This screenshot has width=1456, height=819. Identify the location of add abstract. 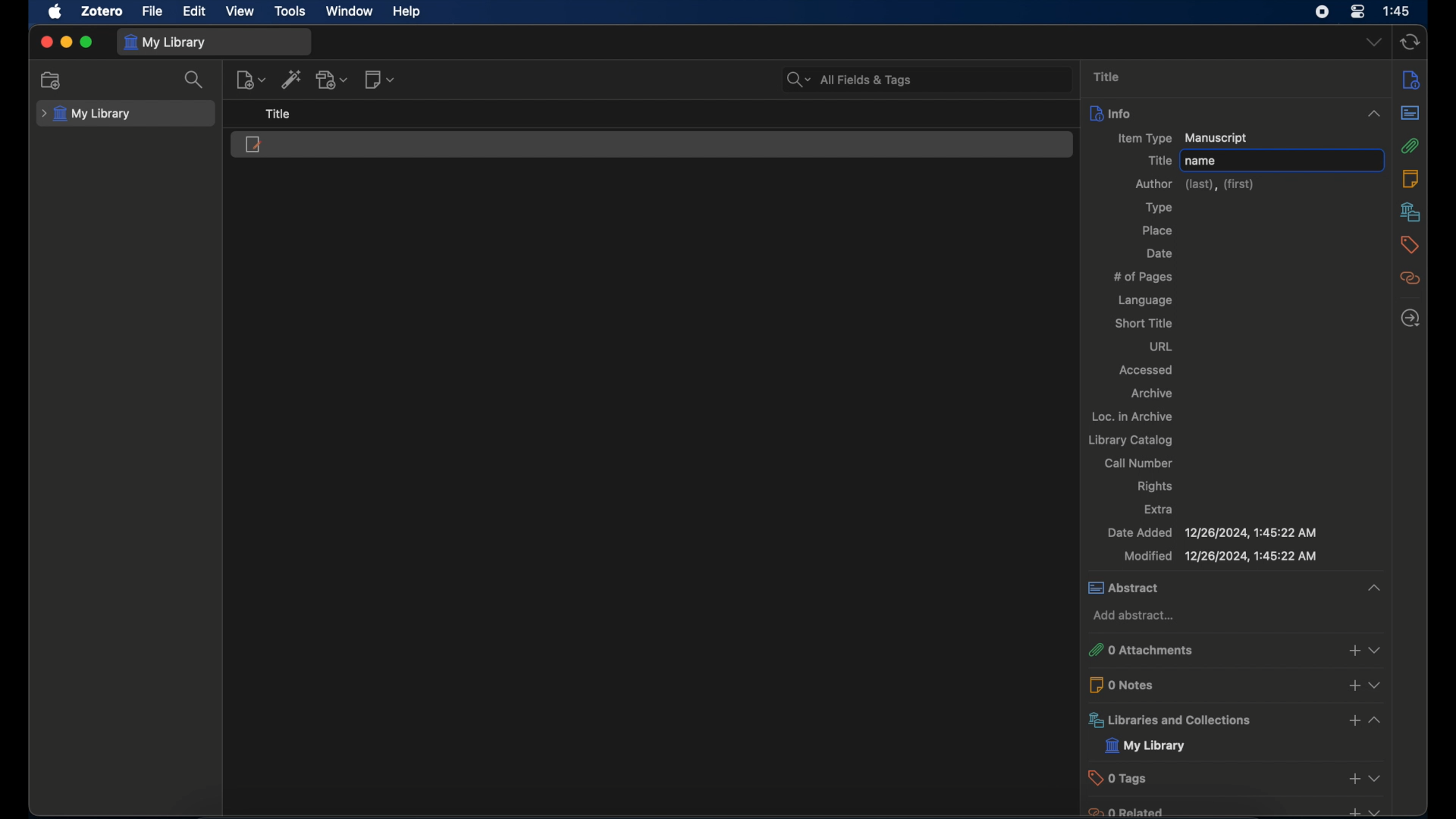
(1136, 616).